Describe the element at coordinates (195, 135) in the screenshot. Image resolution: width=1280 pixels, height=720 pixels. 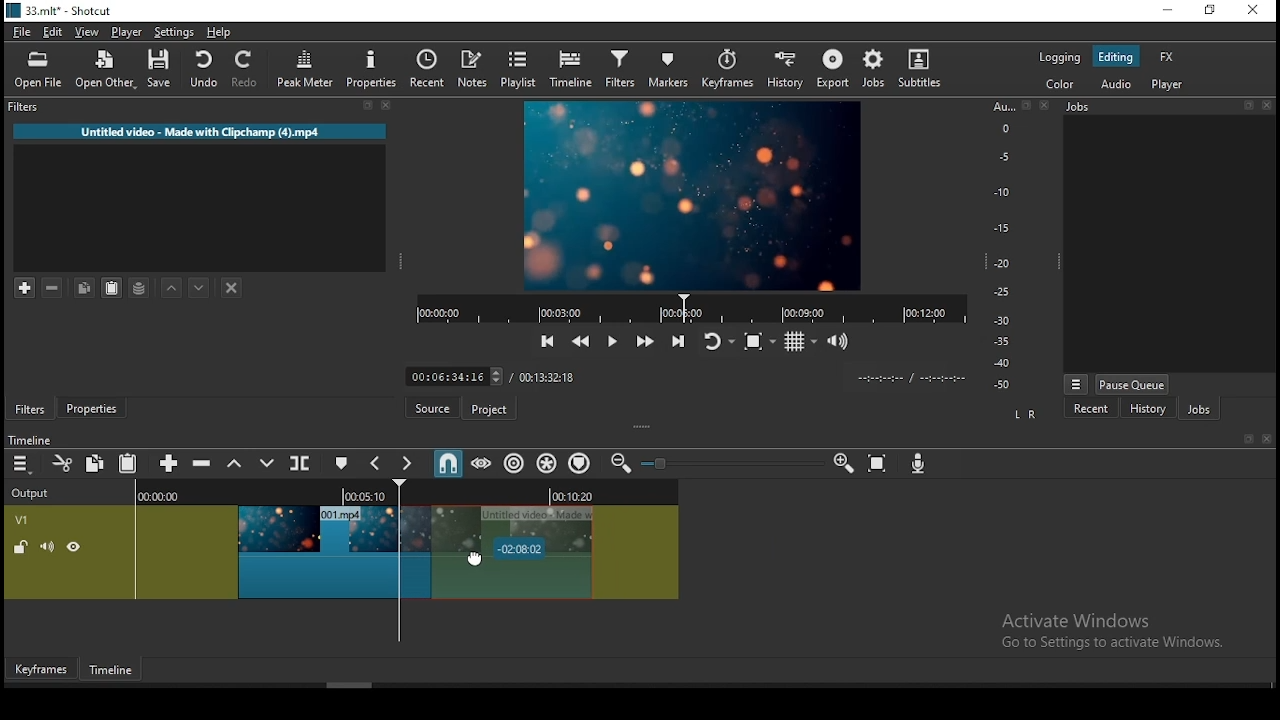
I see `Untitled video` at that location.